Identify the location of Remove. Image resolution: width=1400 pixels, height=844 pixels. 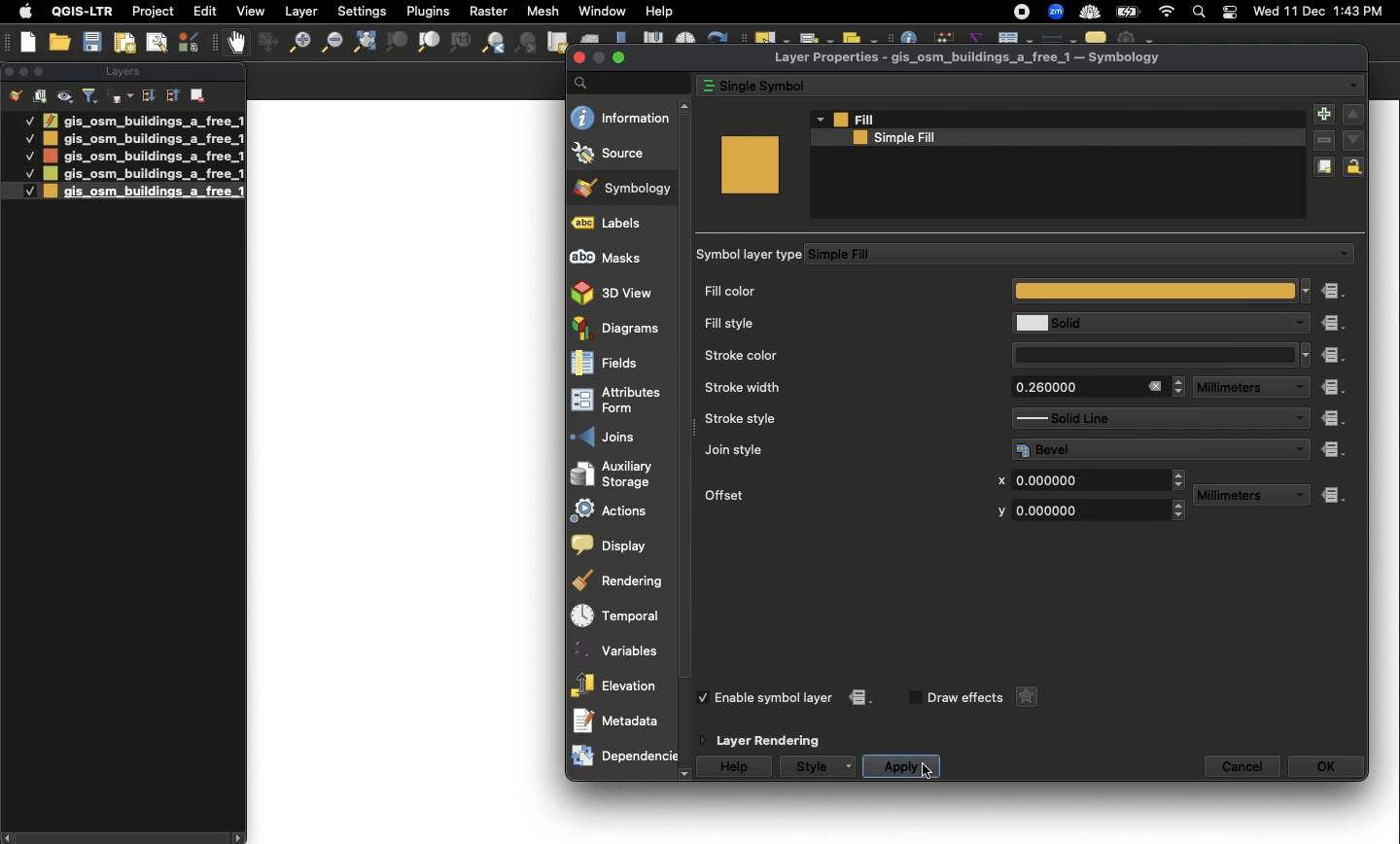
(1324, 142).